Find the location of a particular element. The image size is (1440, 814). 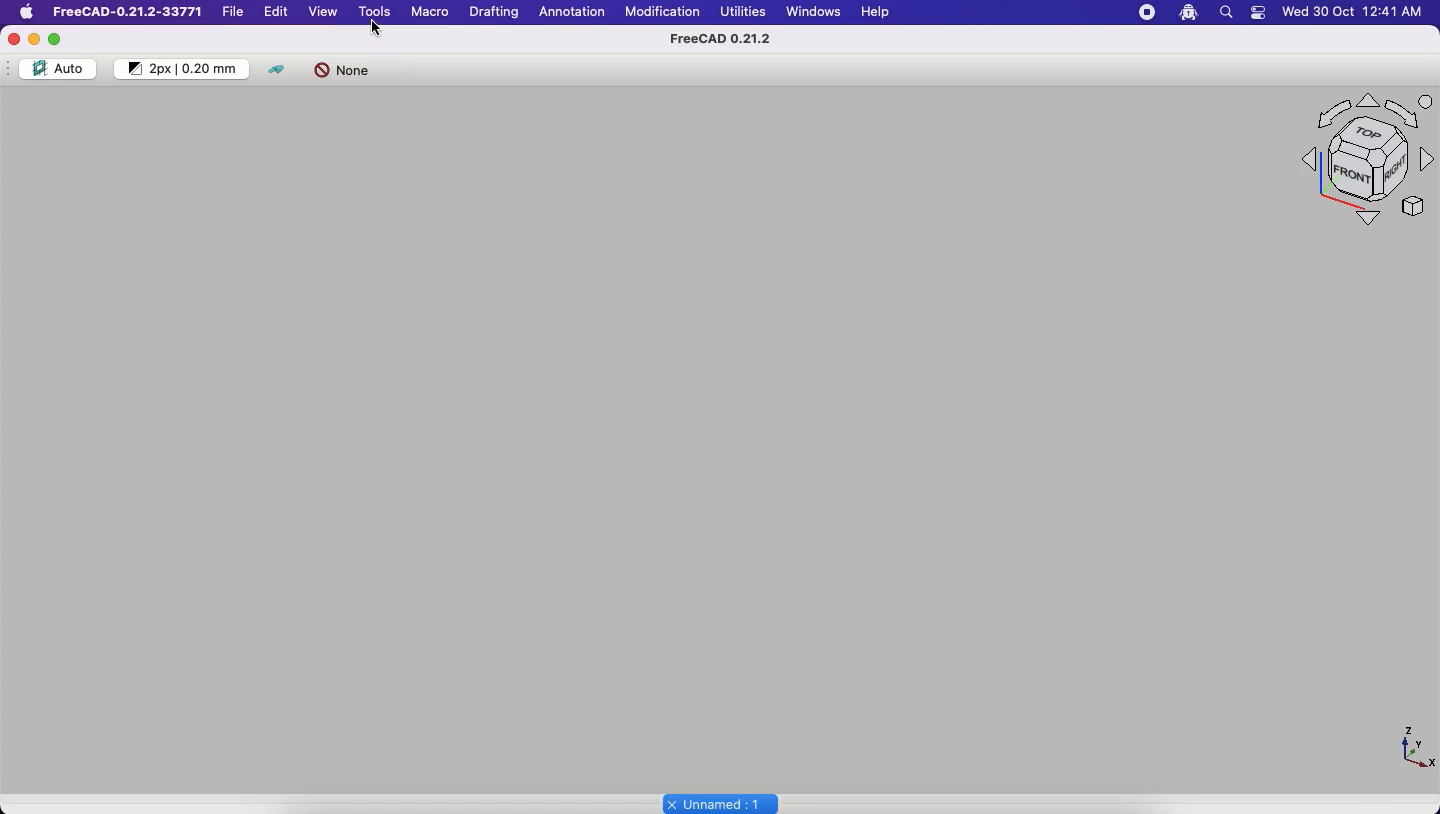

File is located at coordinates (233, 10).